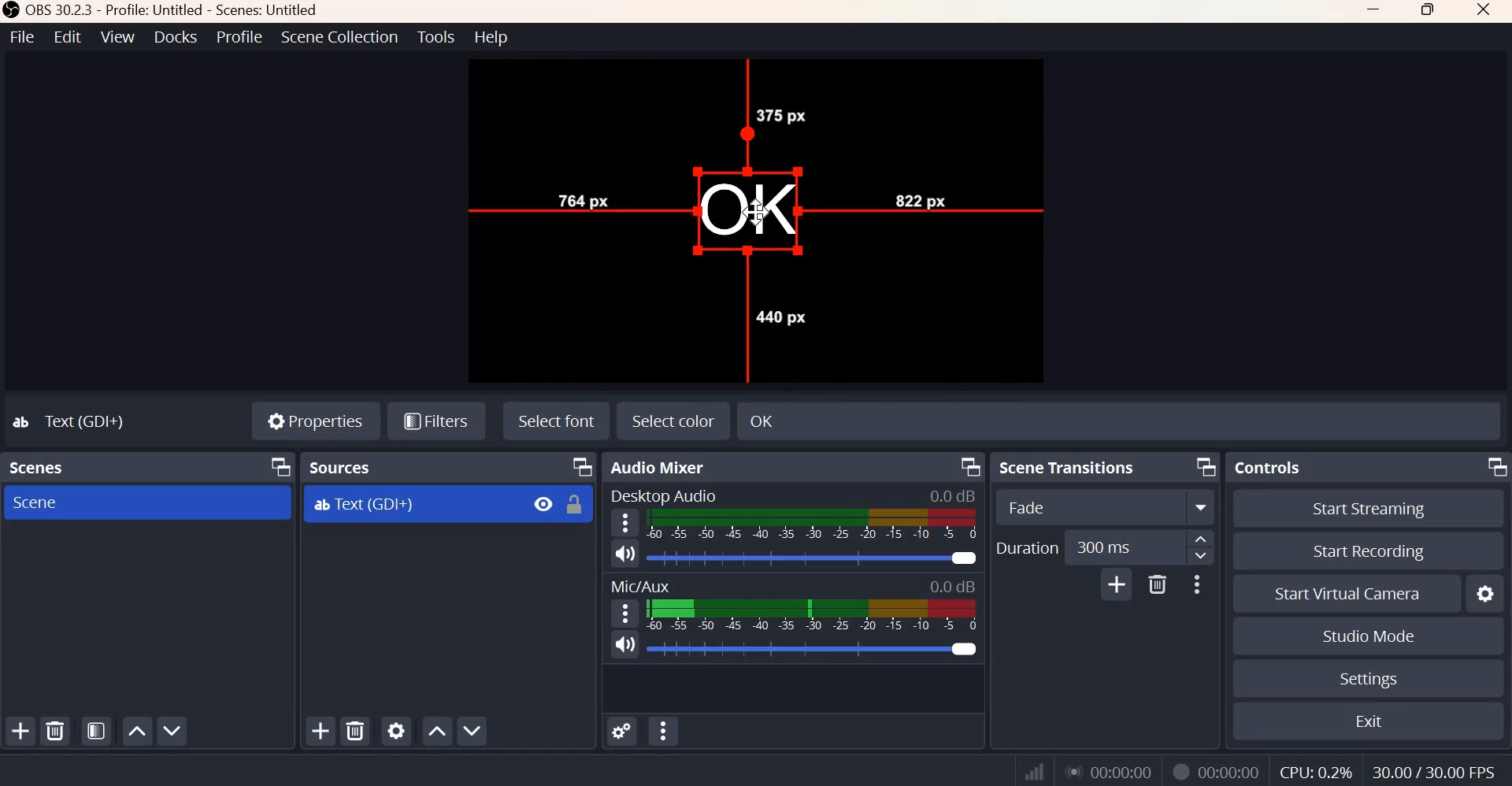 The image size is (1512, 786). I want to click on Connection Status Indicator, so click(1035, 769).